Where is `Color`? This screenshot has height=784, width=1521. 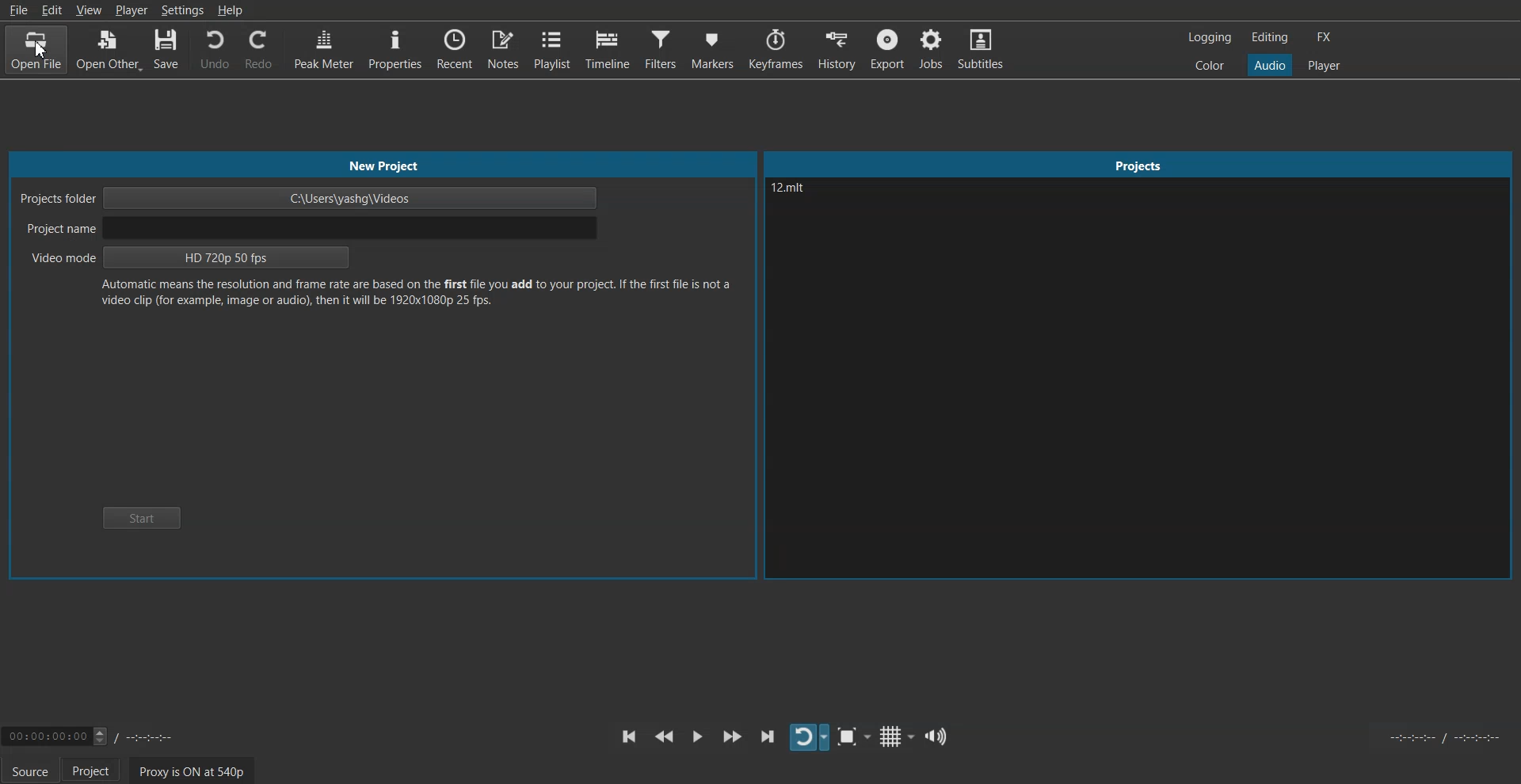
Color is located at coordinates (1210, 66).